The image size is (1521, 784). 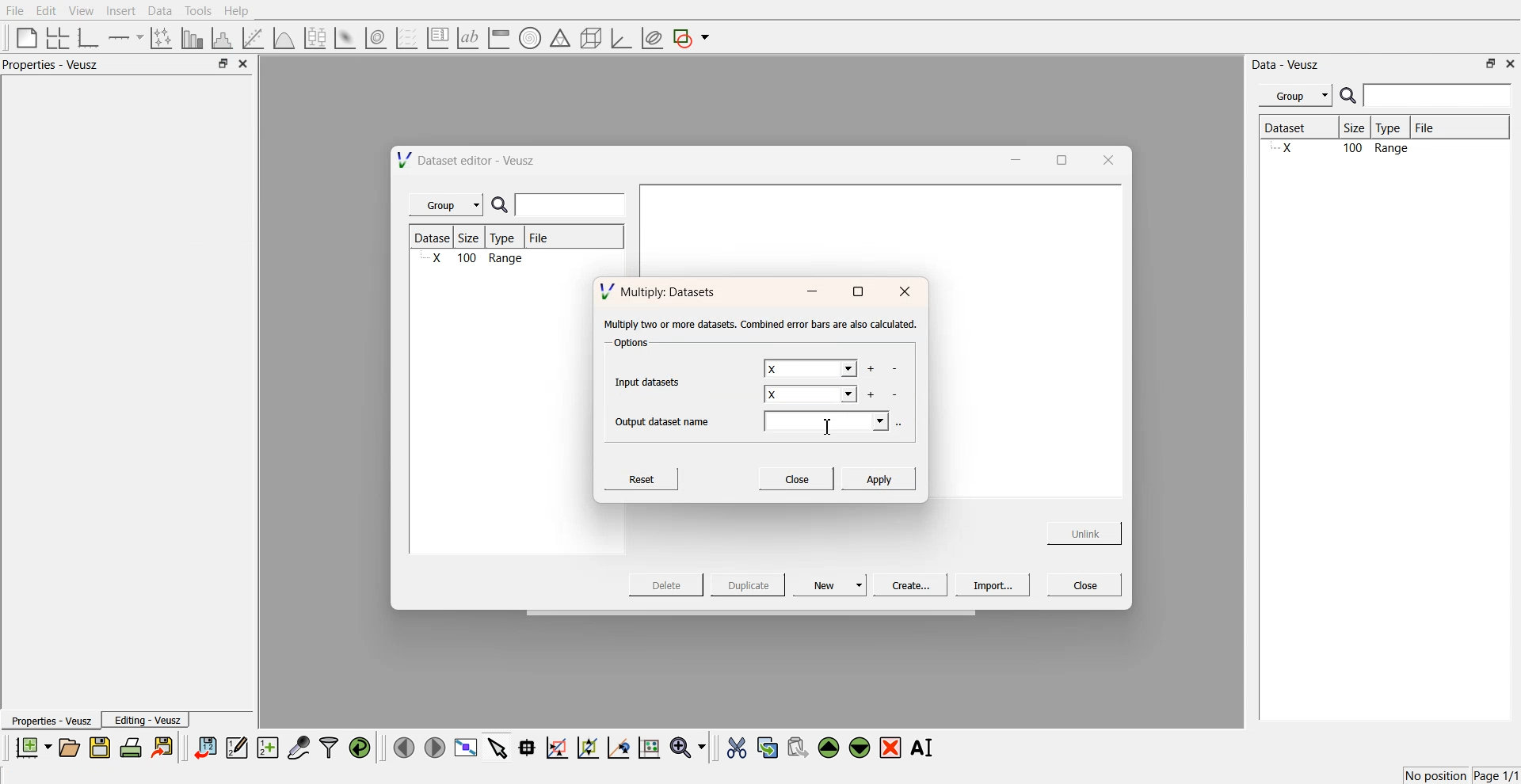 What do you see at coordinates (448, 205) in the screenshot?
I see `Group |` at bounding box center [448, 205].